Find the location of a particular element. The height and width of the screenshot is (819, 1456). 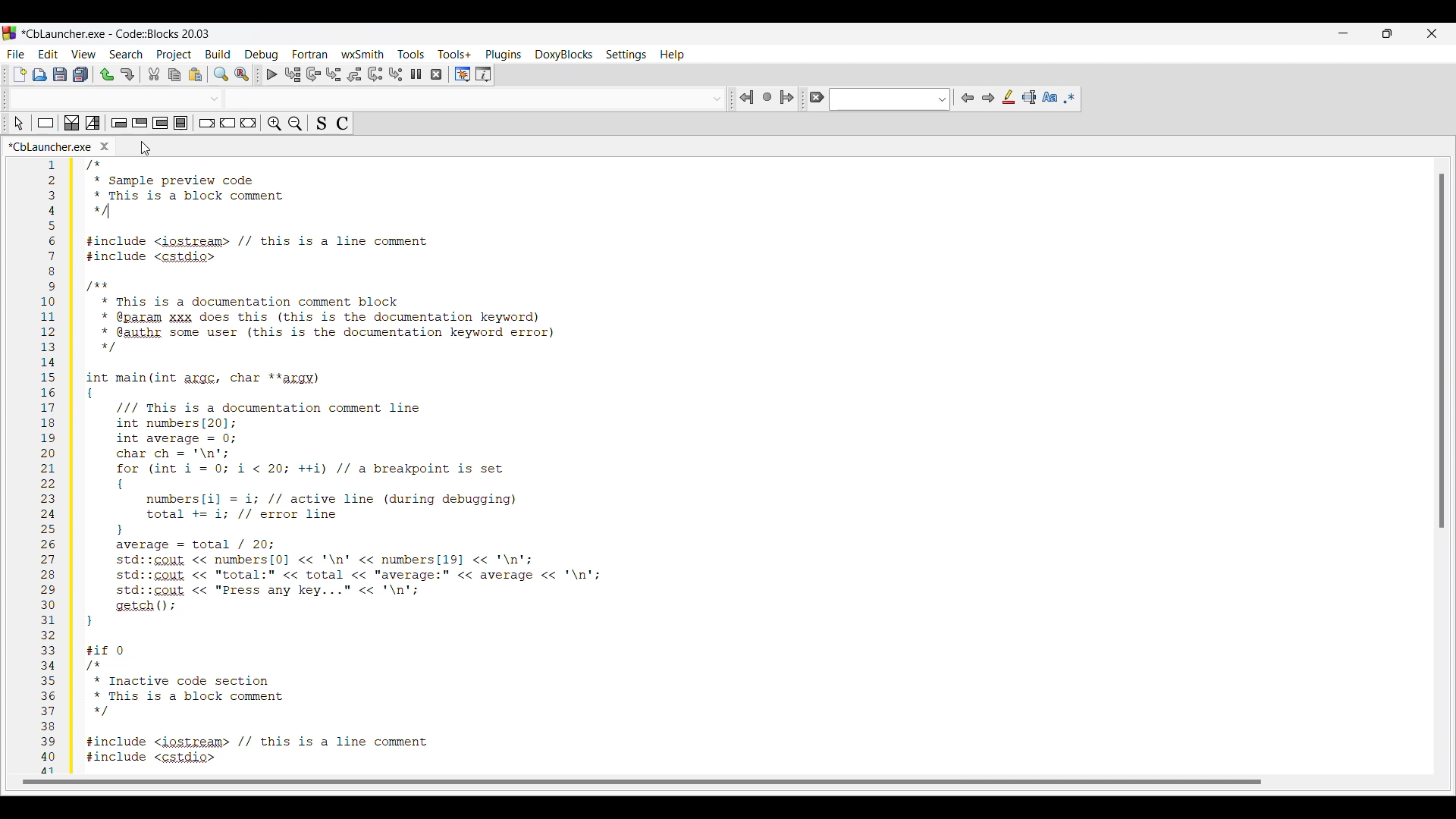

Tools menu is located at coordinates (411, 54).